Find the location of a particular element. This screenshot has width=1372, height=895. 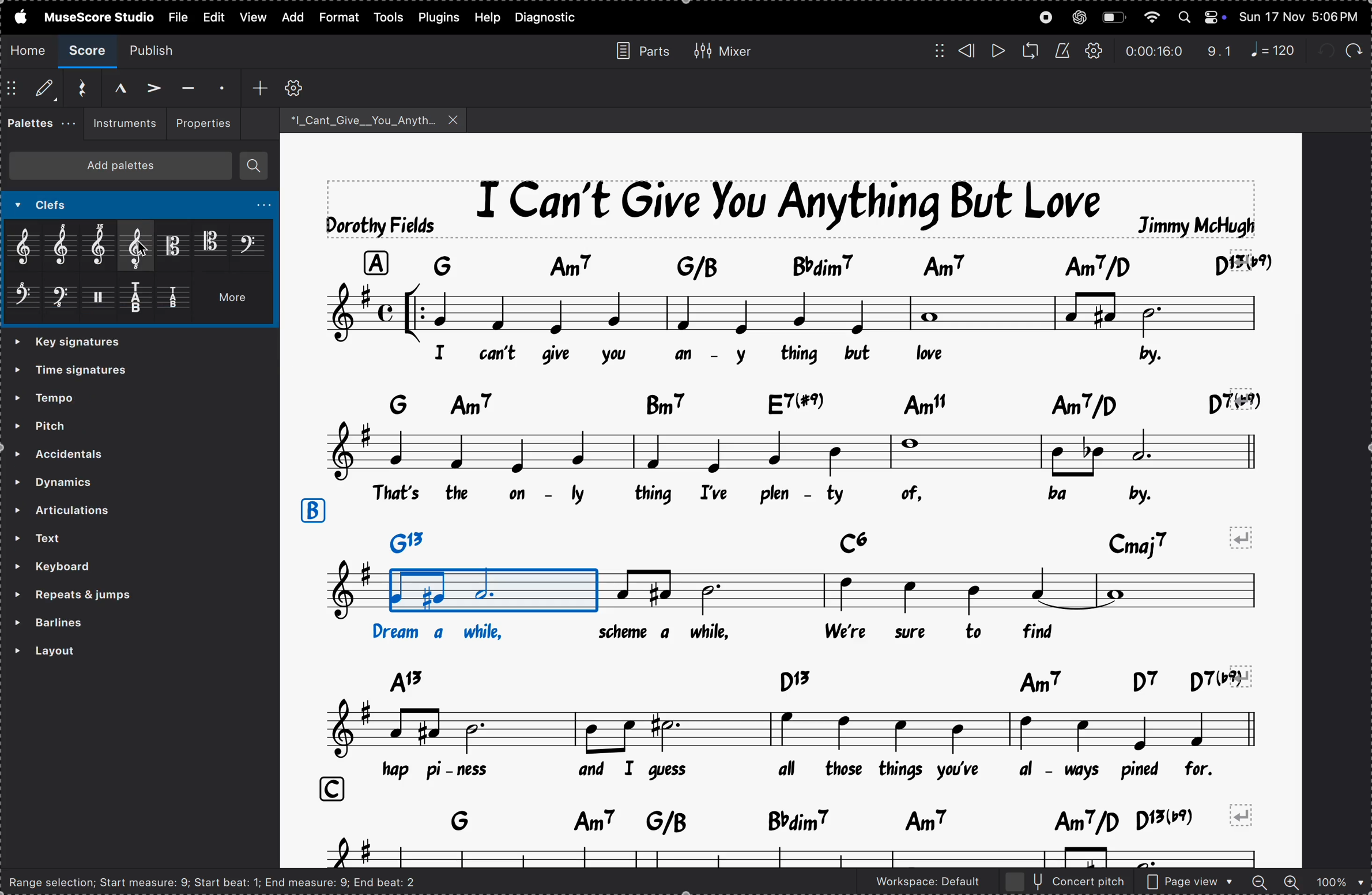

help is located at coordinates (487, 17).